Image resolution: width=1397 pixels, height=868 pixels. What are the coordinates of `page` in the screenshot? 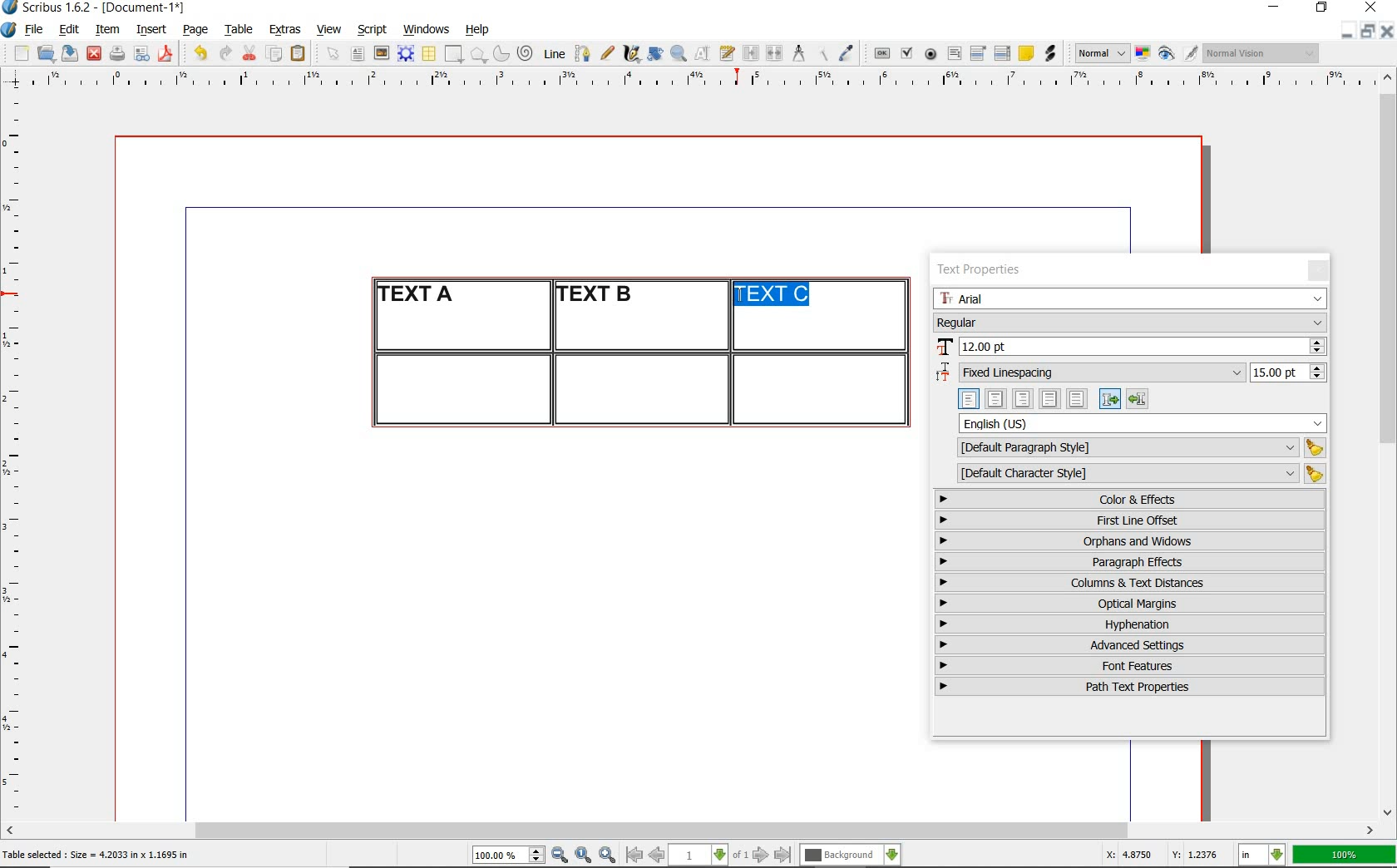 It's located at (195, 29).